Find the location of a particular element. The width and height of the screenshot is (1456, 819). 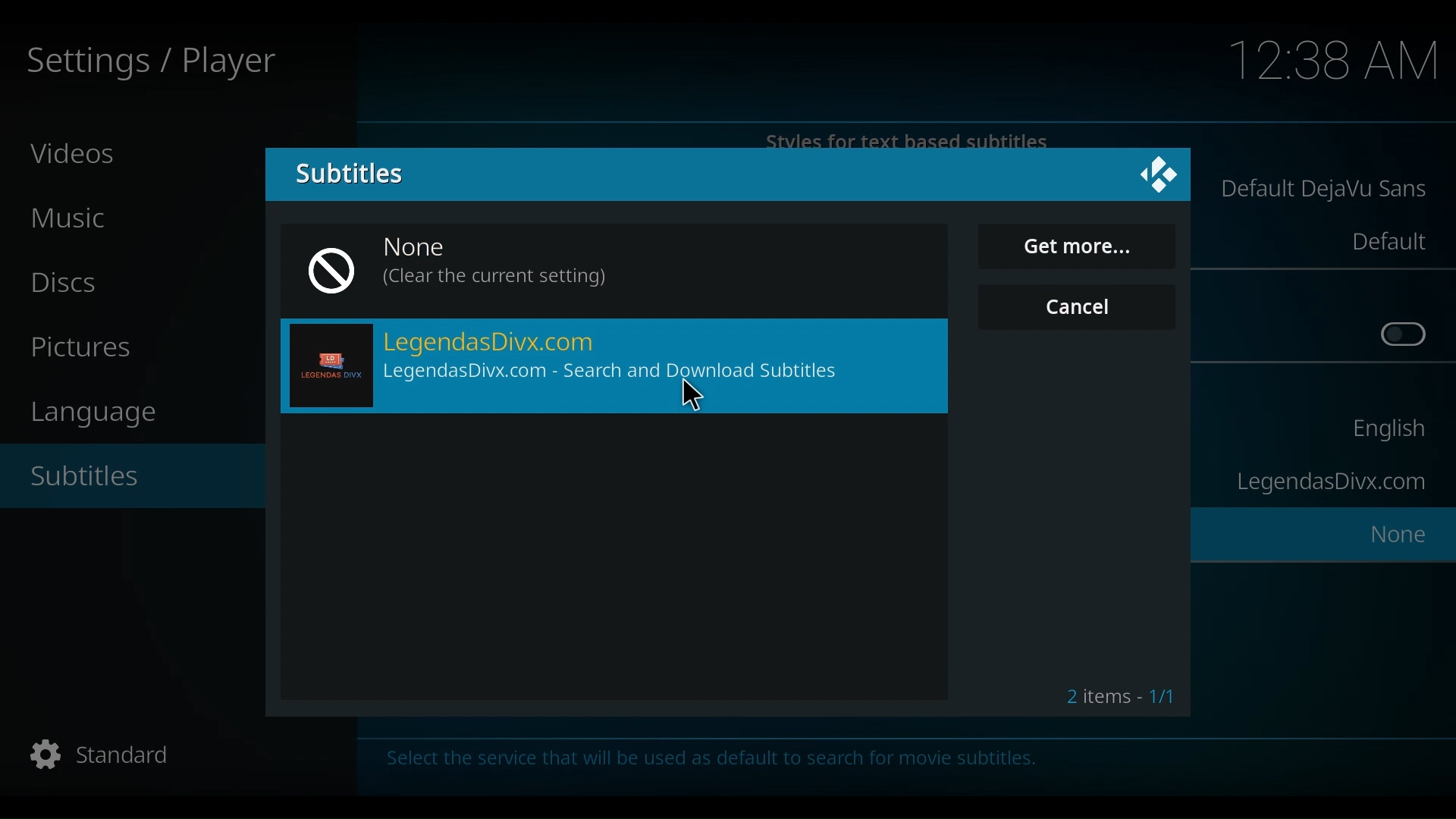

Toggle on/off is located at coordinates (1404, 335).